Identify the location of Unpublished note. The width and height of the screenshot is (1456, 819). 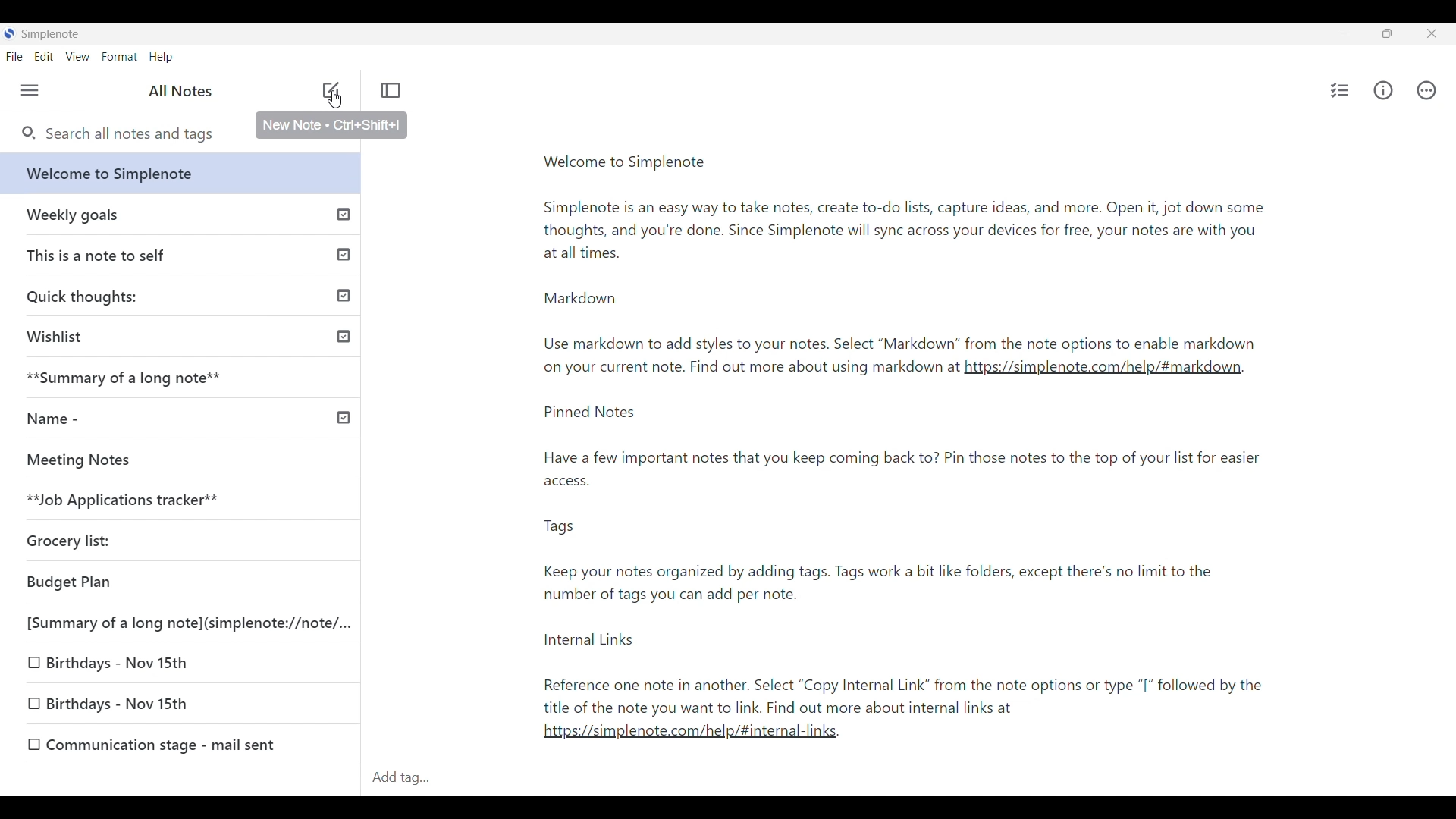
(126, 497).